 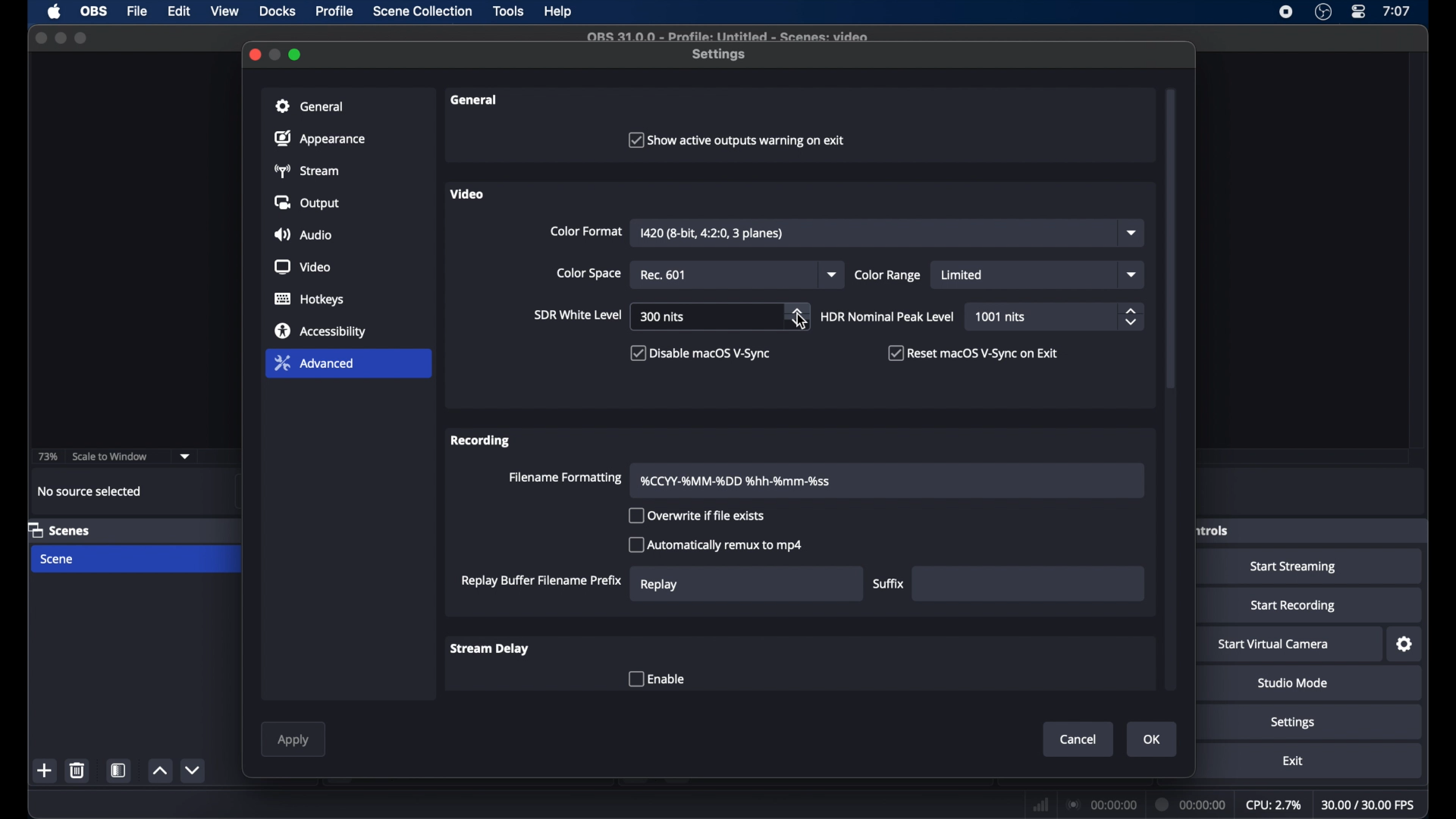 What do you see at coordinates (45, 771) in the screenshot?
I see `add` at bounding box center [45, 771].